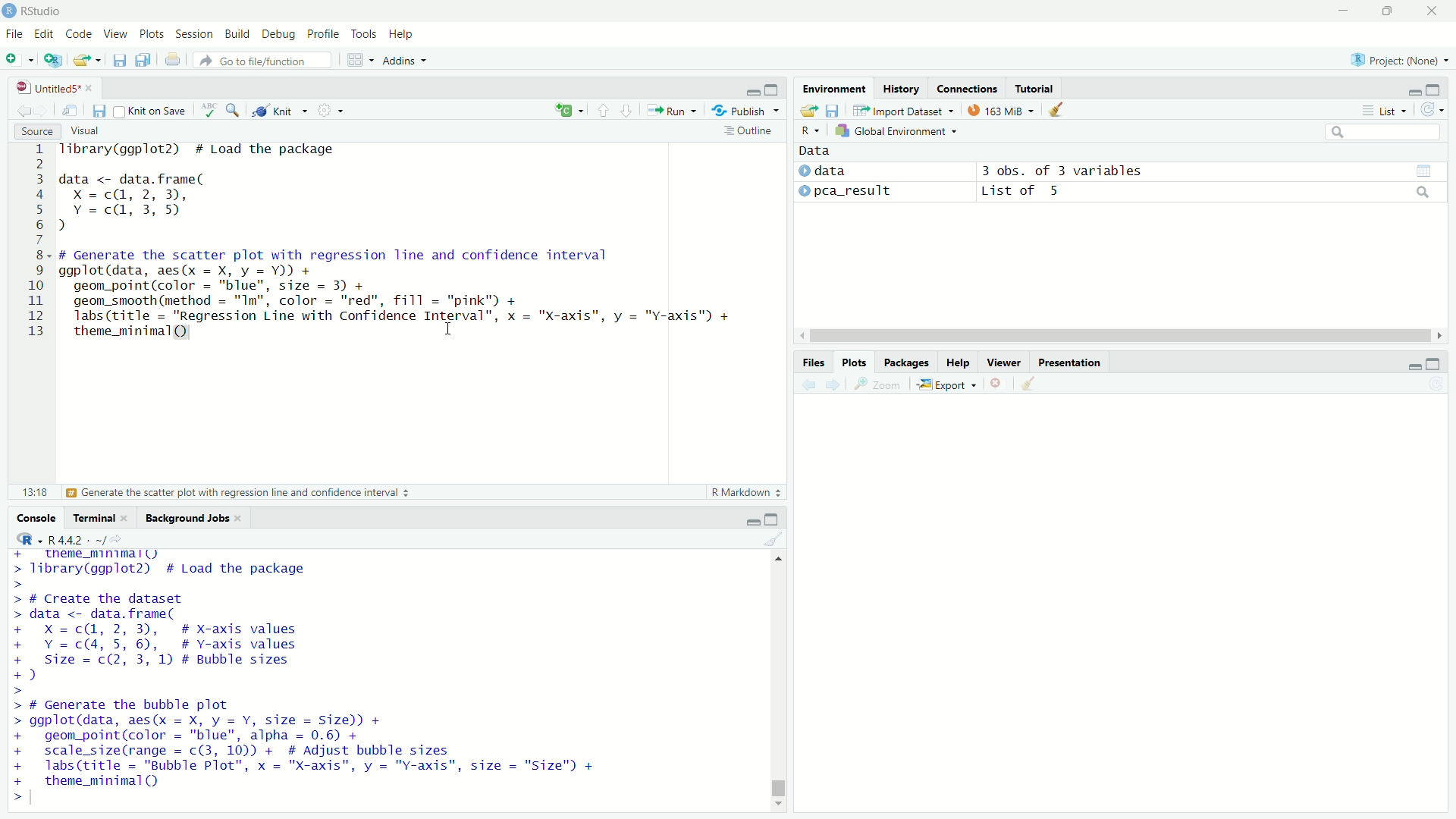 This screenshot has width=1456, height=819. Describe the element at coordinates (1412, 364) in the screenshot. I see `minimize` at that location.